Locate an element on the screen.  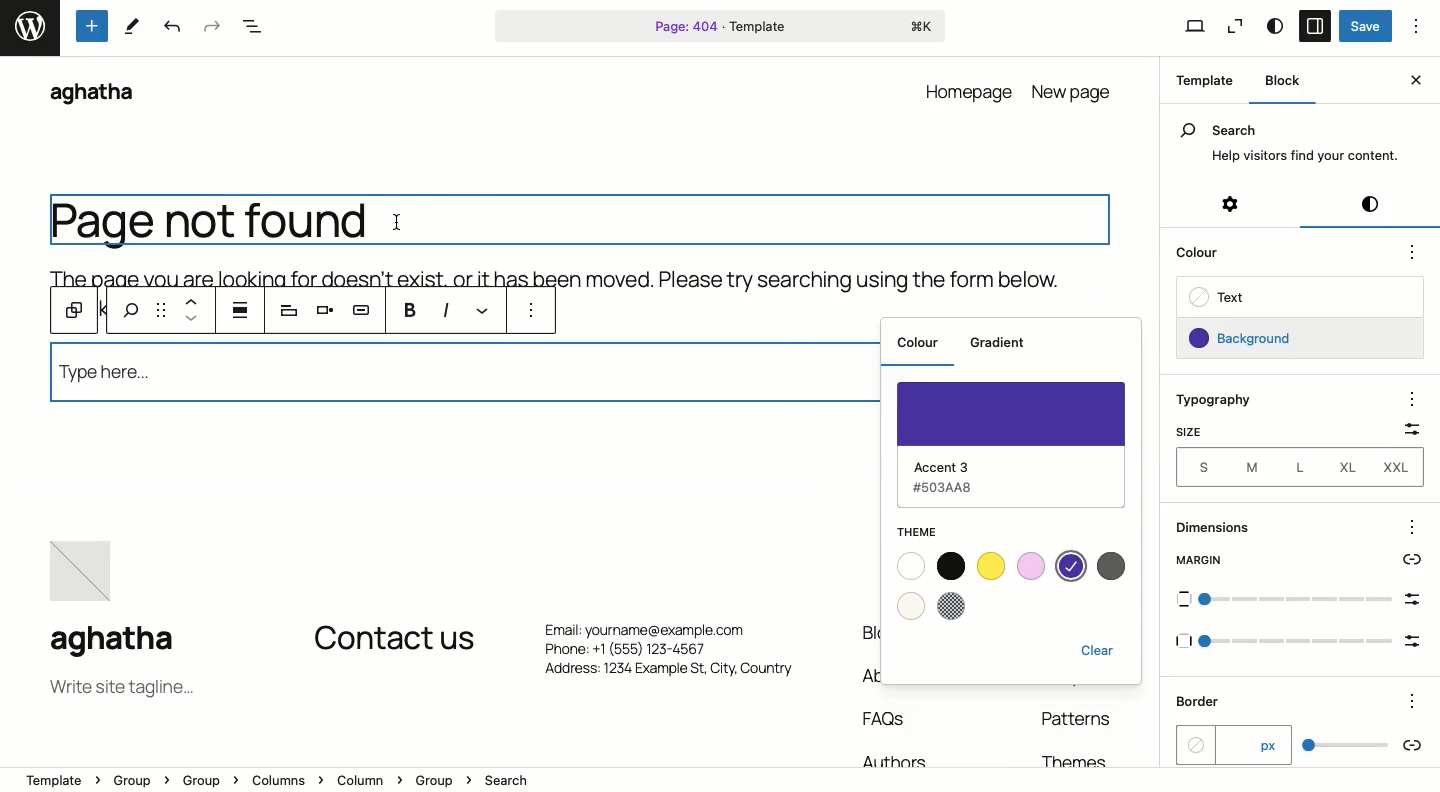
Block is located at coordinates (76, 309).